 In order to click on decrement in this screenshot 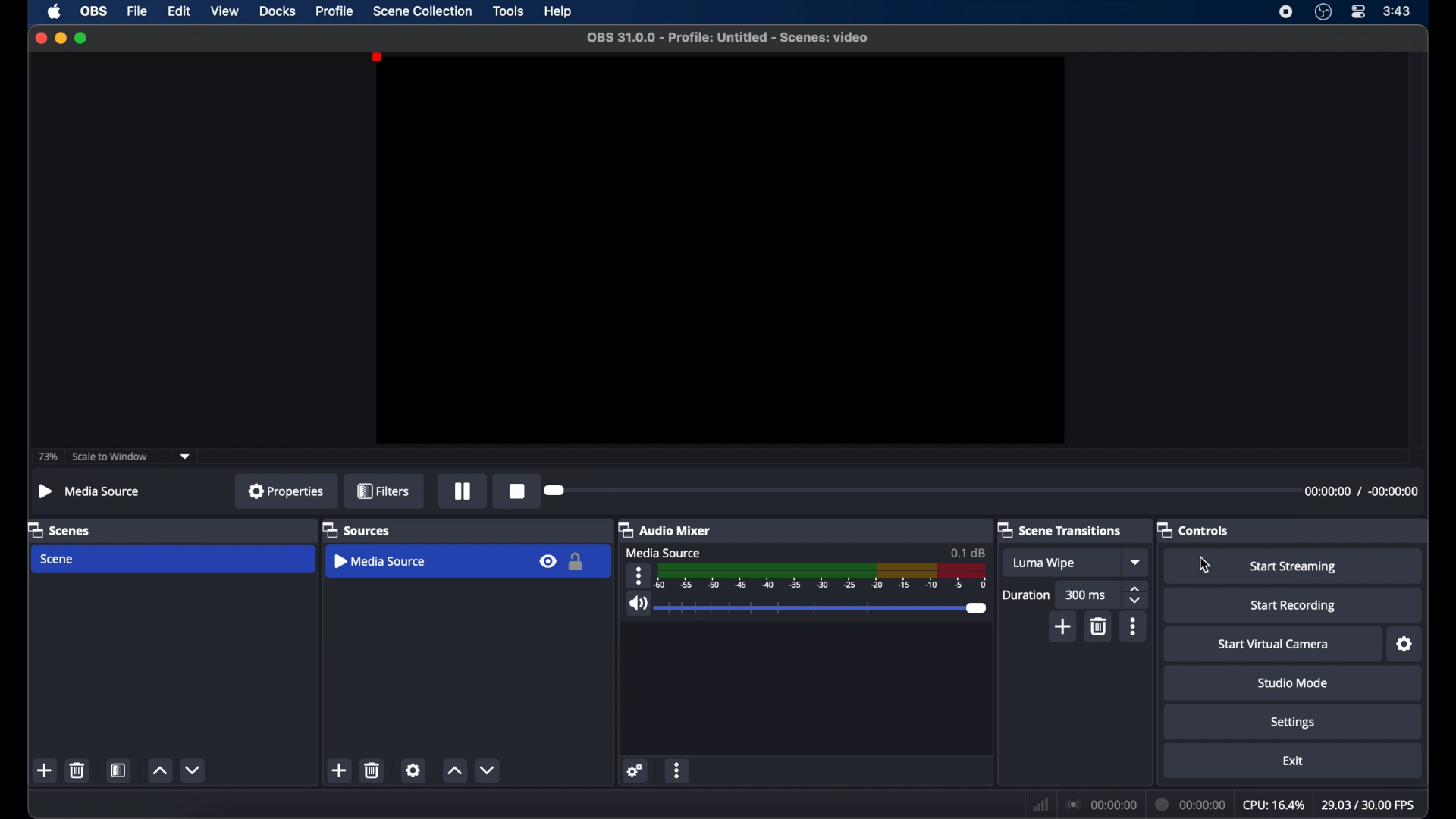, I will do `click(194, 770)`.